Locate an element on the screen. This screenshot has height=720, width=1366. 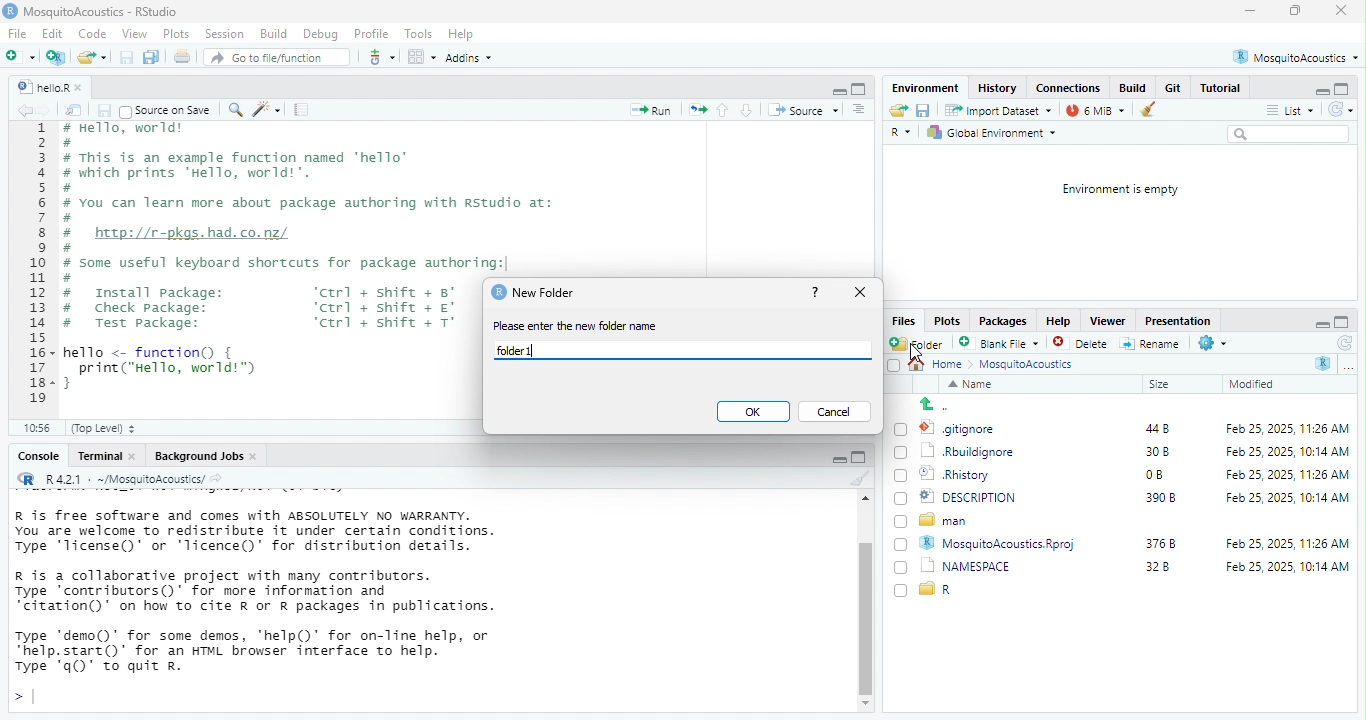
32b is located at coordinates (1167, 570).